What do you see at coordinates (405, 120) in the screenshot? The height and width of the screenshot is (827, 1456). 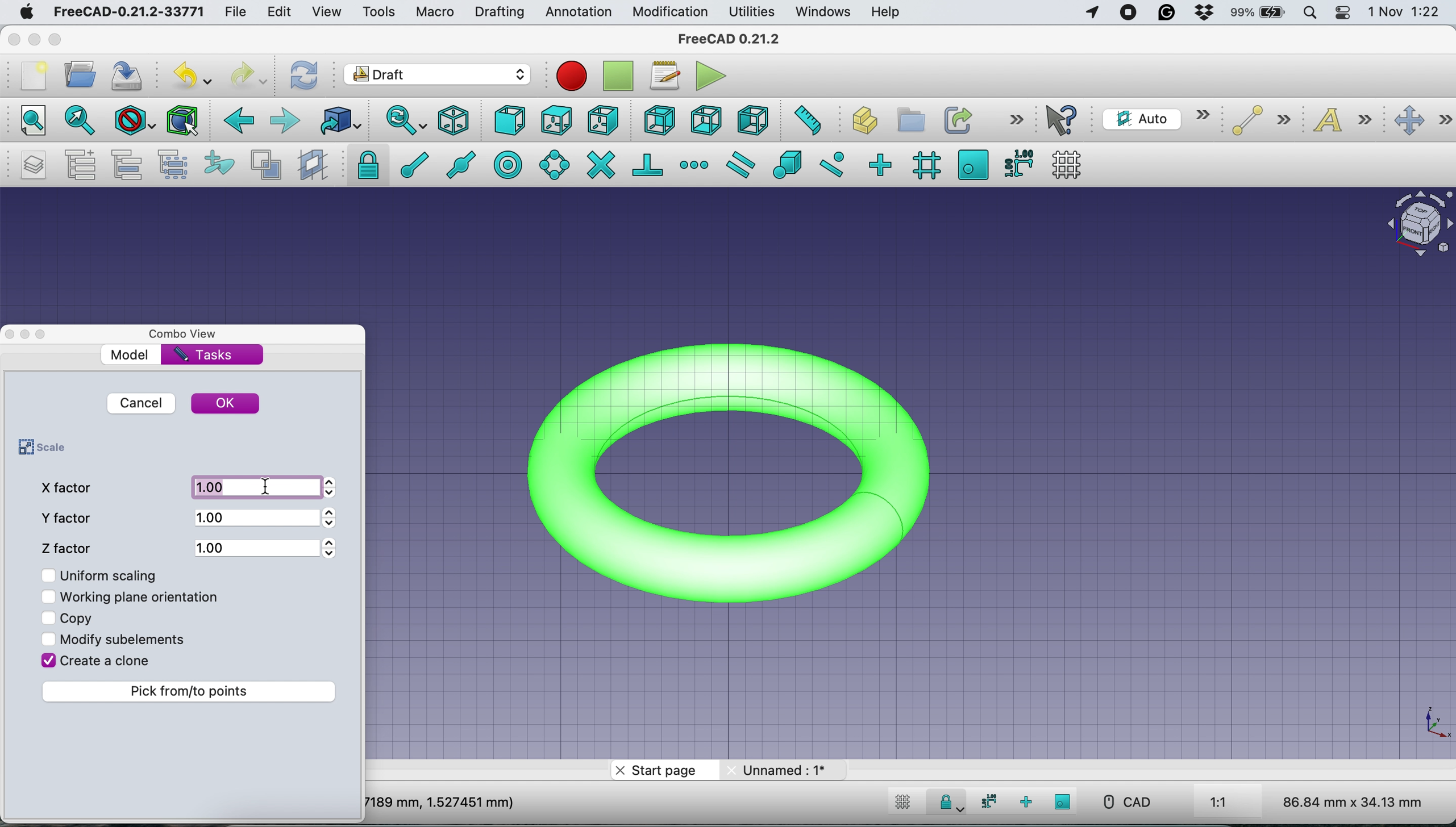 I see `sync view` at bounding box center [405, 120].